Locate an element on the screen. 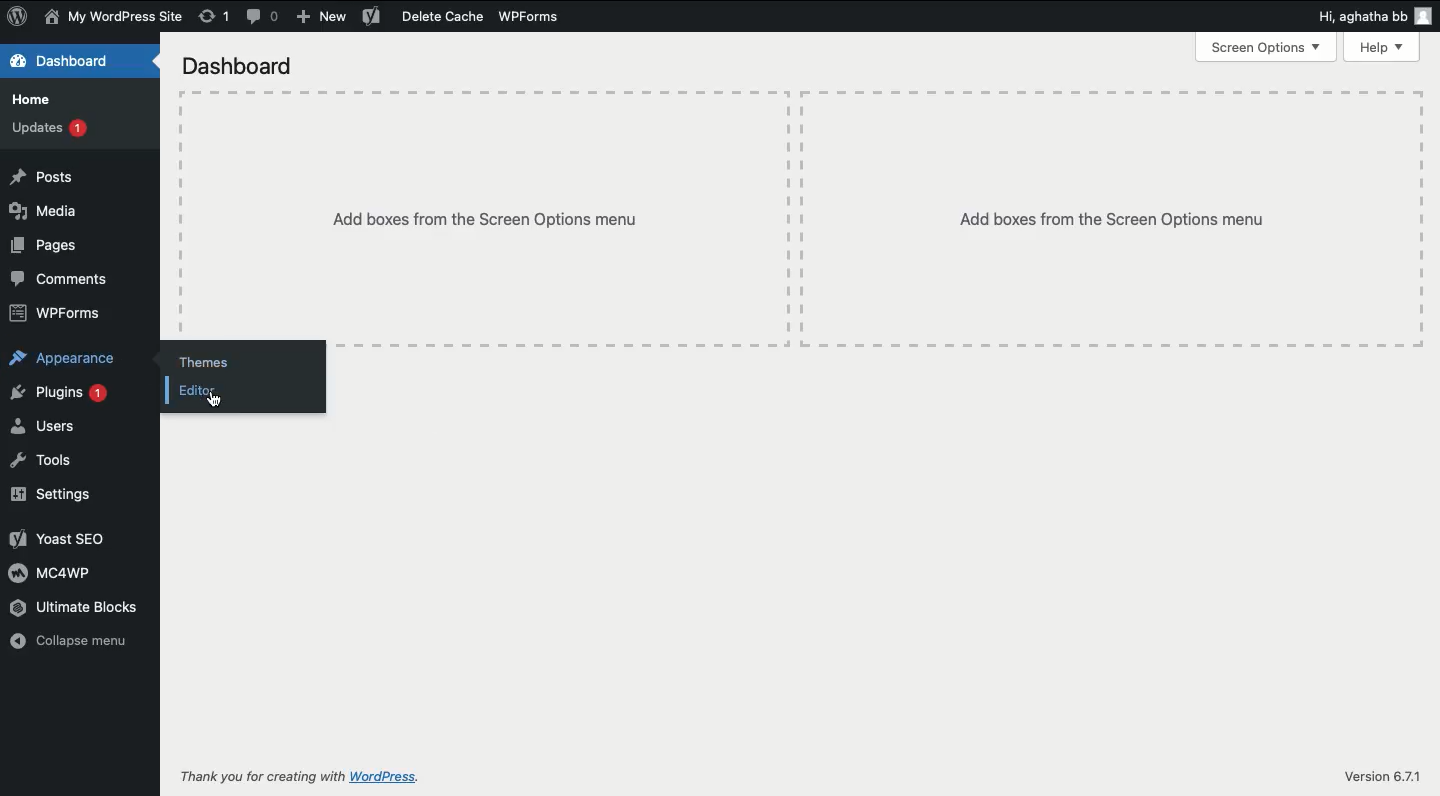 The image size is (1440, 796). Dashboard is located at coordinates (253, 64).